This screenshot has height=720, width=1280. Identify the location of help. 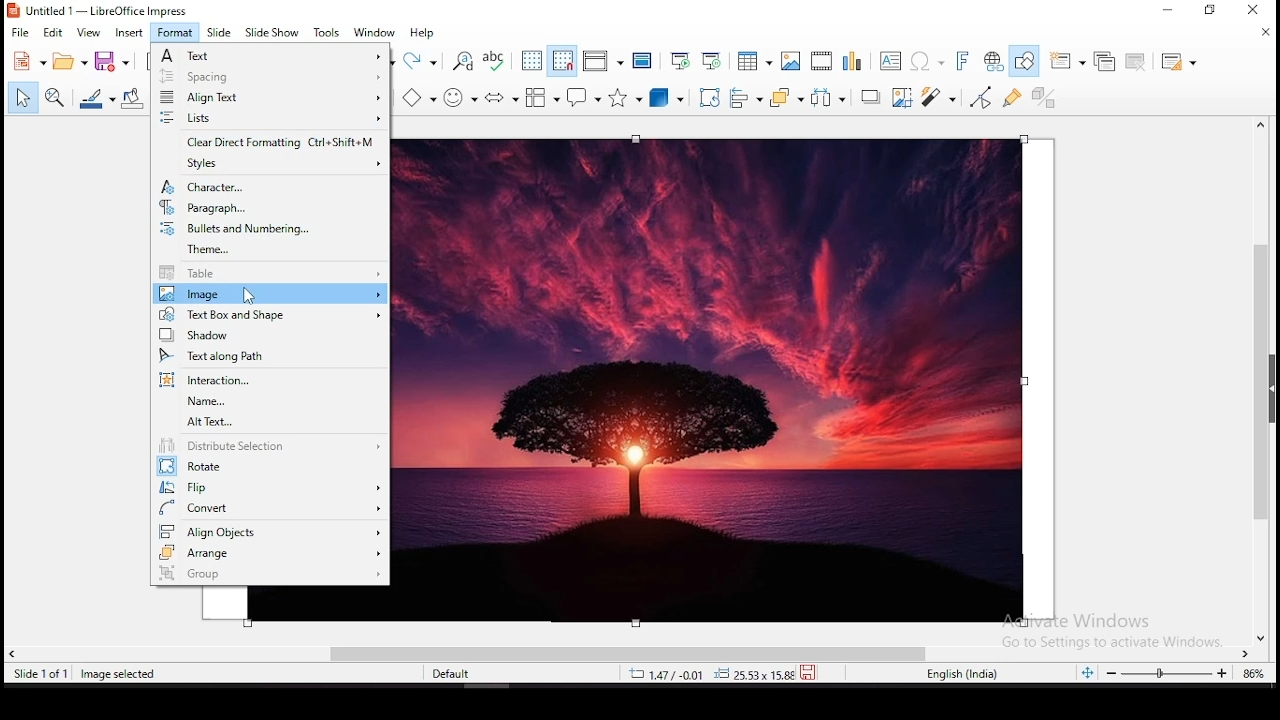
(425, 34).